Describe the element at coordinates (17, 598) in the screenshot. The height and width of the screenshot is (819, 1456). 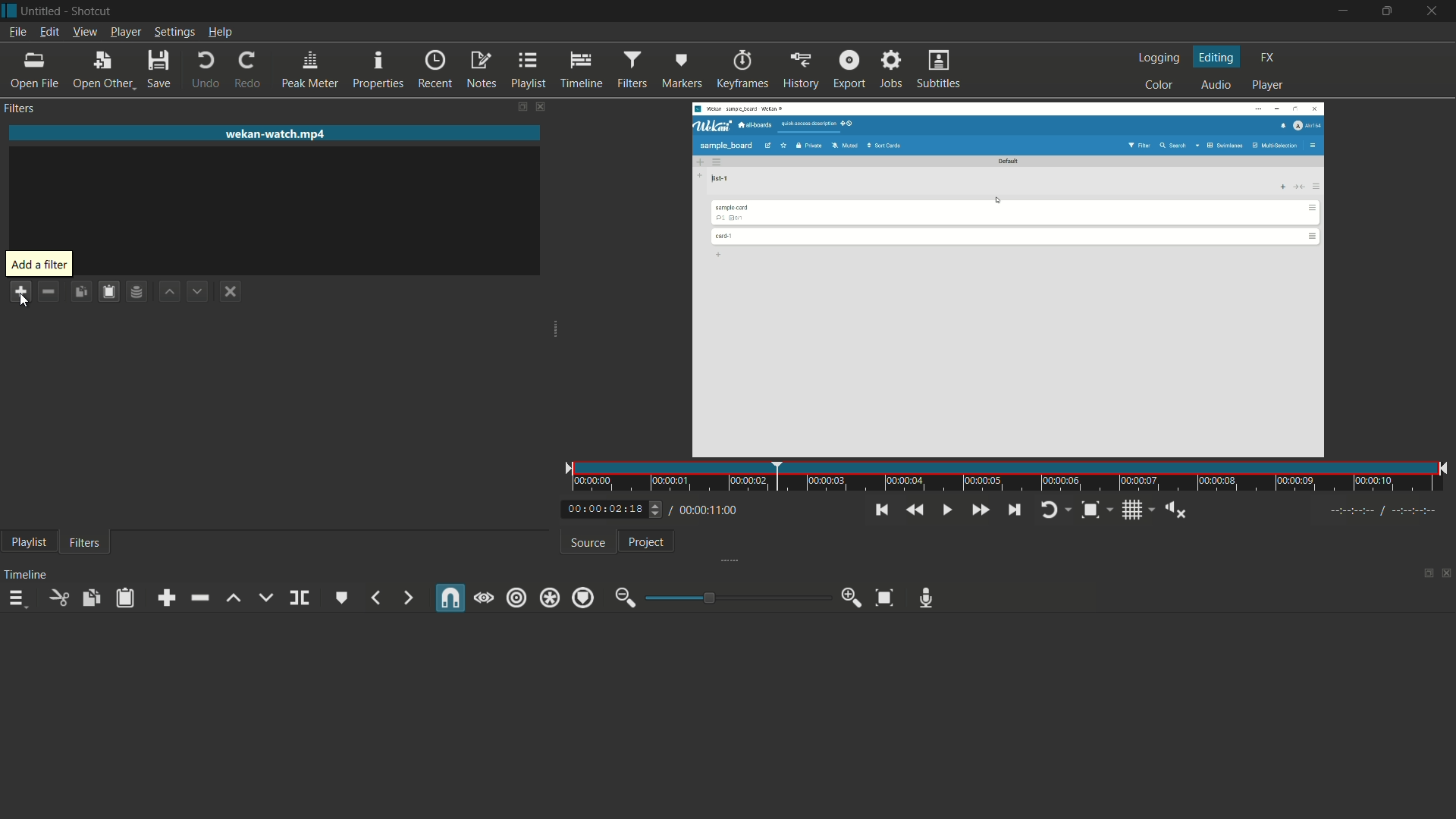
I see `timeline menu` at that location.